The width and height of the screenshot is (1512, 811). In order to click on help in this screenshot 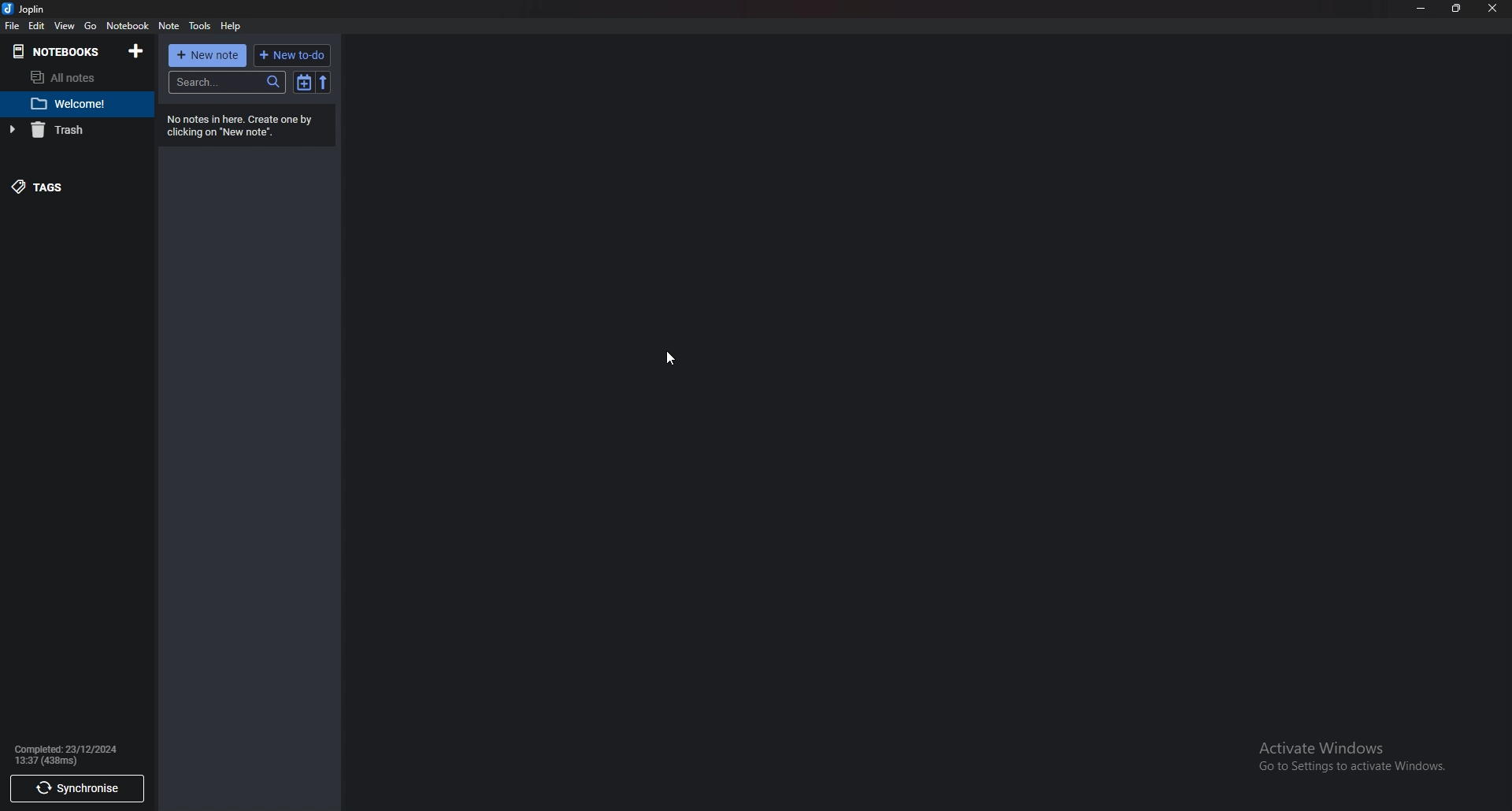, I will do `click(232, 27)`.